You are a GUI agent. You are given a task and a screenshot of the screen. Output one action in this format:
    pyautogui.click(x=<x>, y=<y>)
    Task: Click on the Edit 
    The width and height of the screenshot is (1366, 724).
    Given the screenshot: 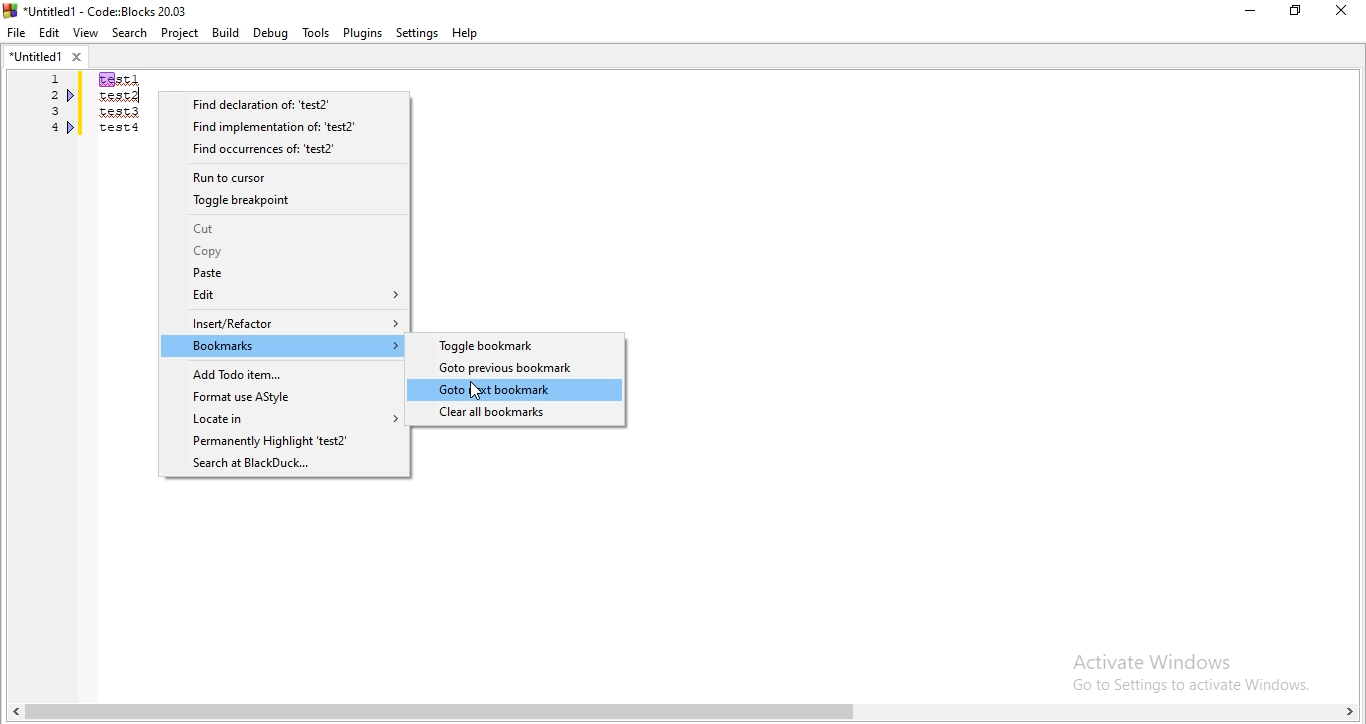 What is the action you would take?
    pyautogui.click(x=50, y=33)
    